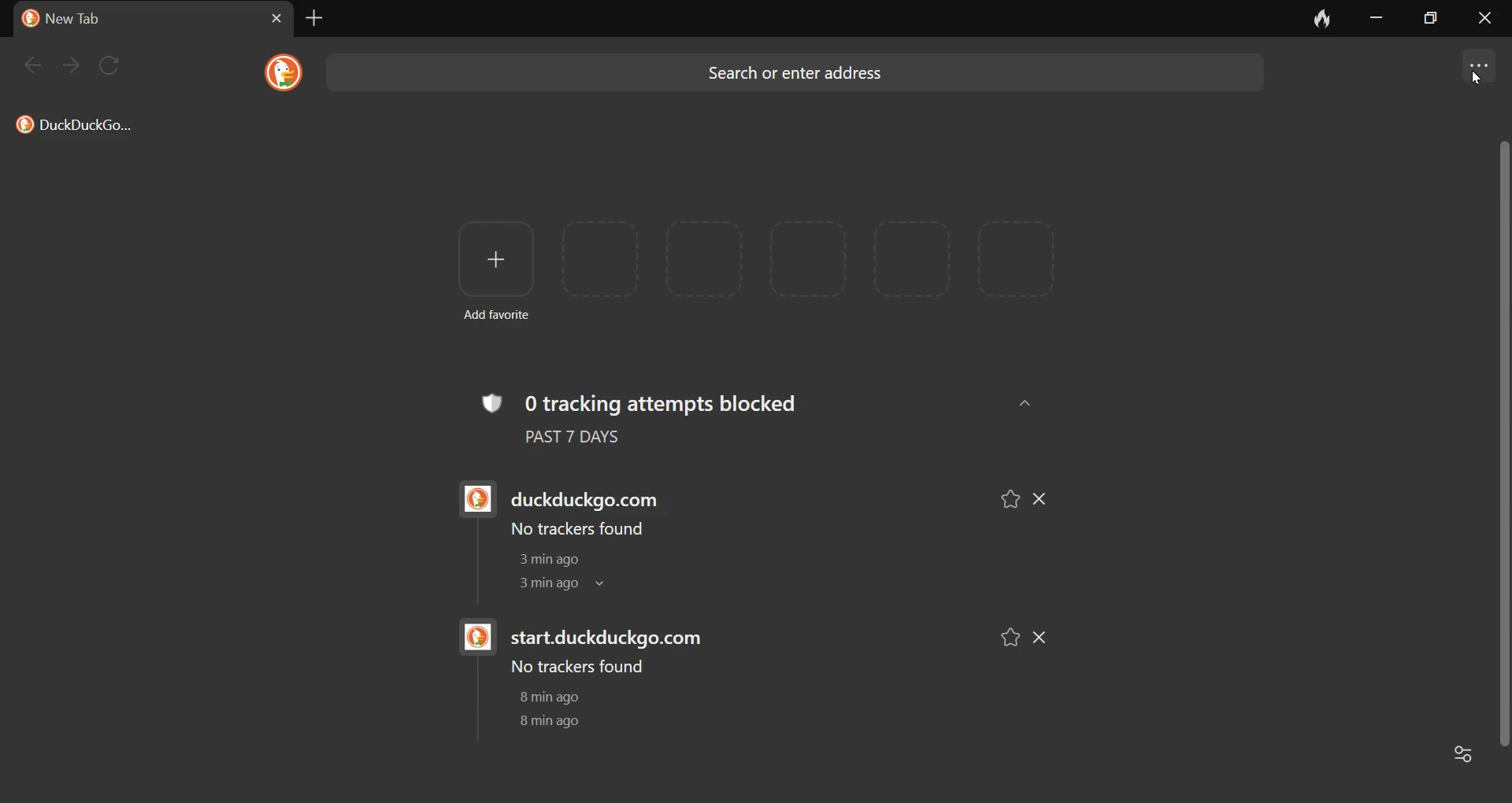 The image size is (1512, 803). What do you see at coordinates (502, 316) in the screenshot?
I see `Add favorite` at bounding box center [502, 316].